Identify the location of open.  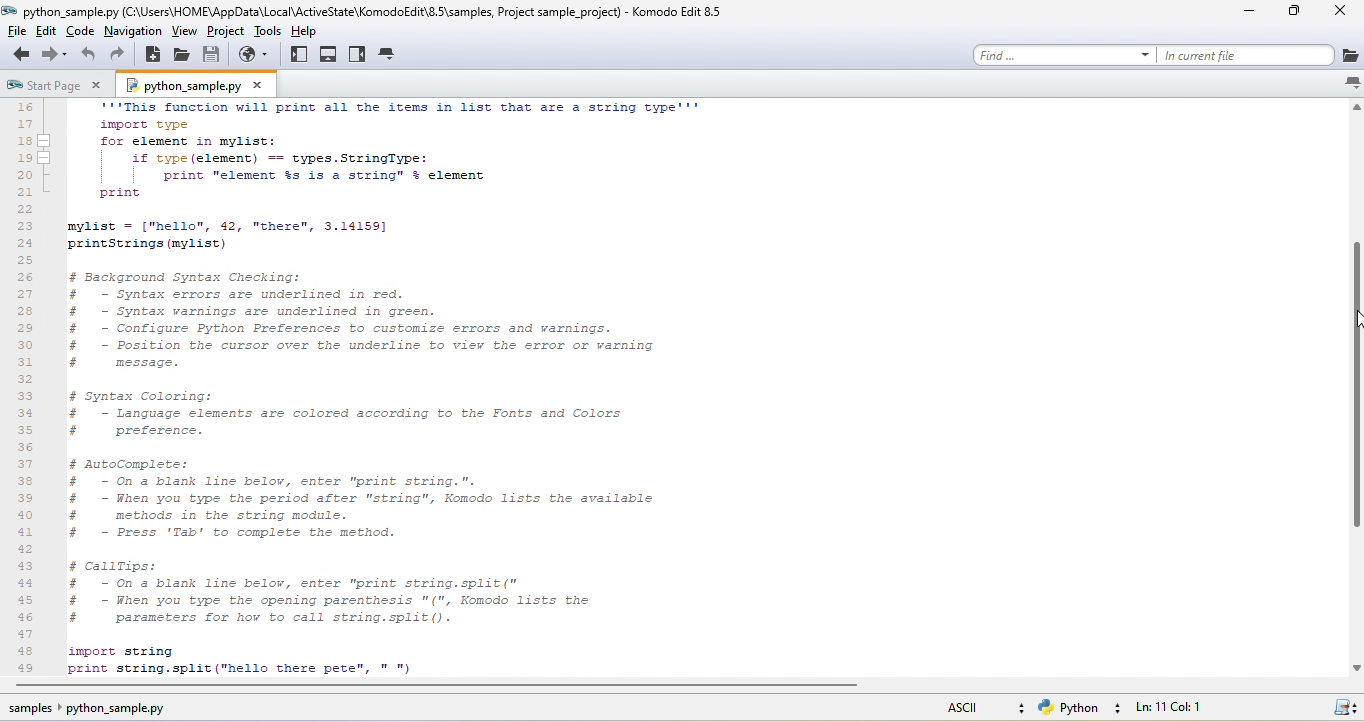
(182, 55).